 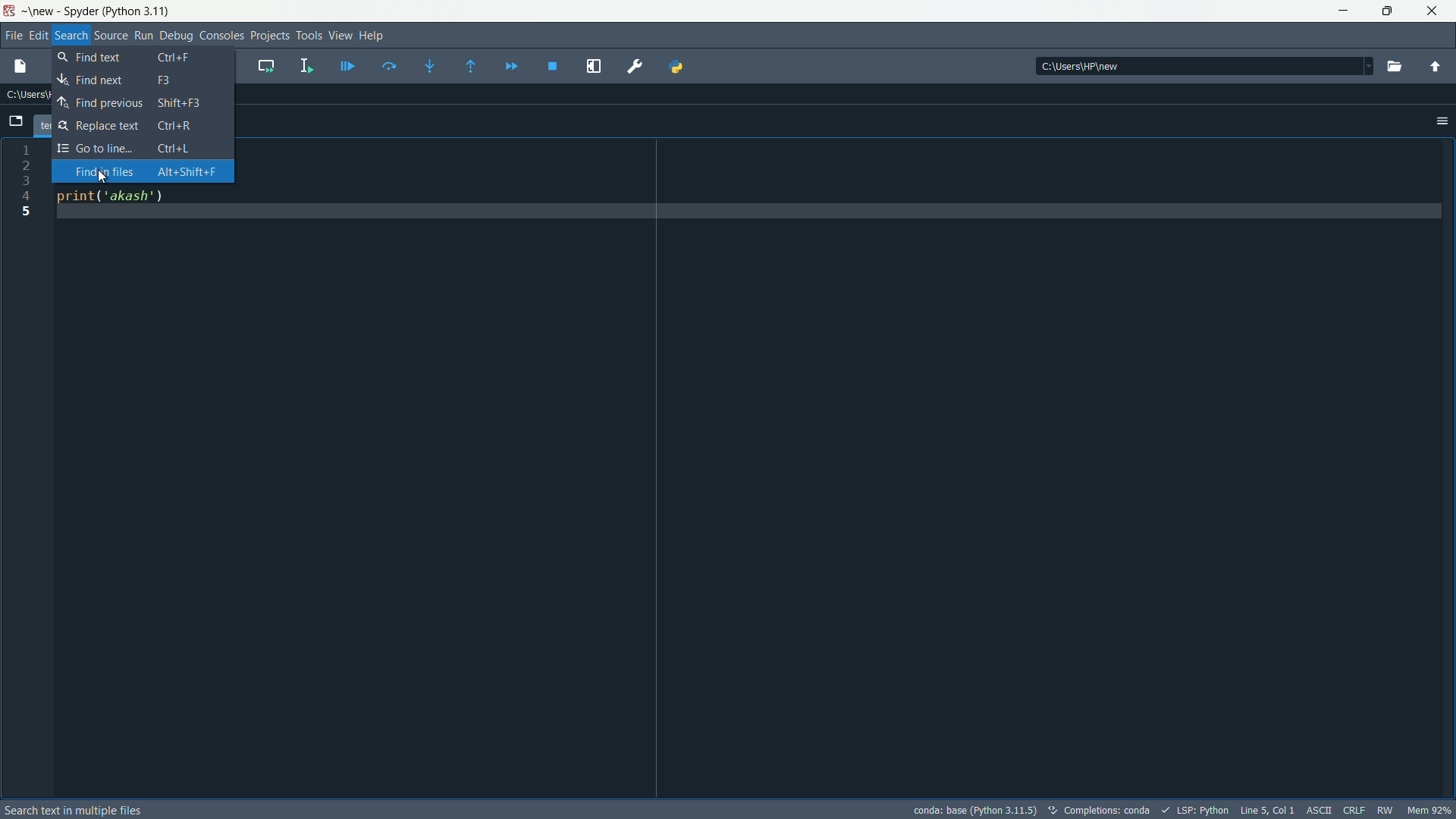 What do you see at coordinates (1432, 810) in the screenshot?
I see `memory usage` at bounding box center [1432, 810].